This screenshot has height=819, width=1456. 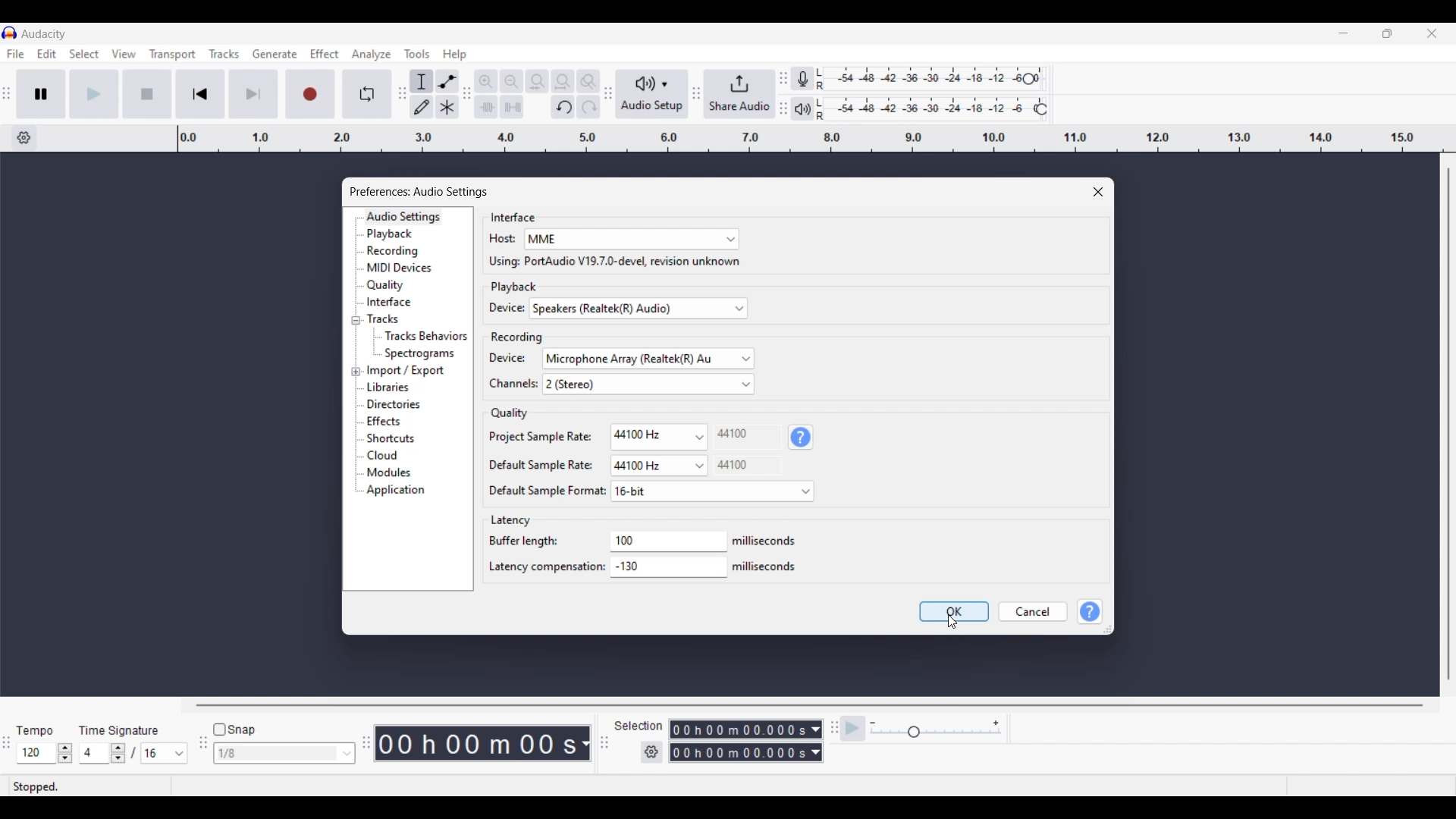 I want to click on Horizontal slide bar, so click(x=810, y=705).